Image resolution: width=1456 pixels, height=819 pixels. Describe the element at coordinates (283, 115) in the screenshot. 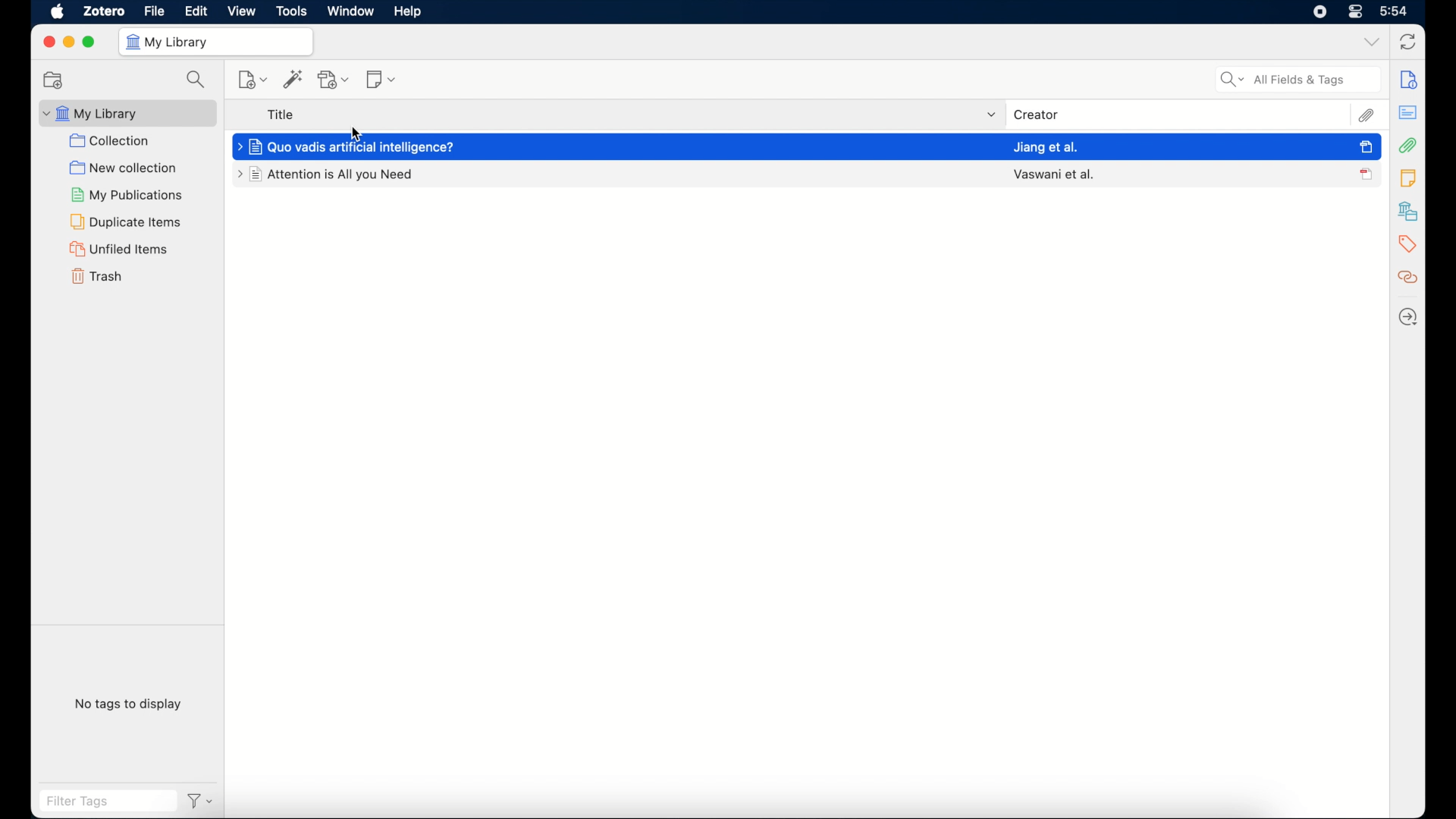

I see `title` at that location.